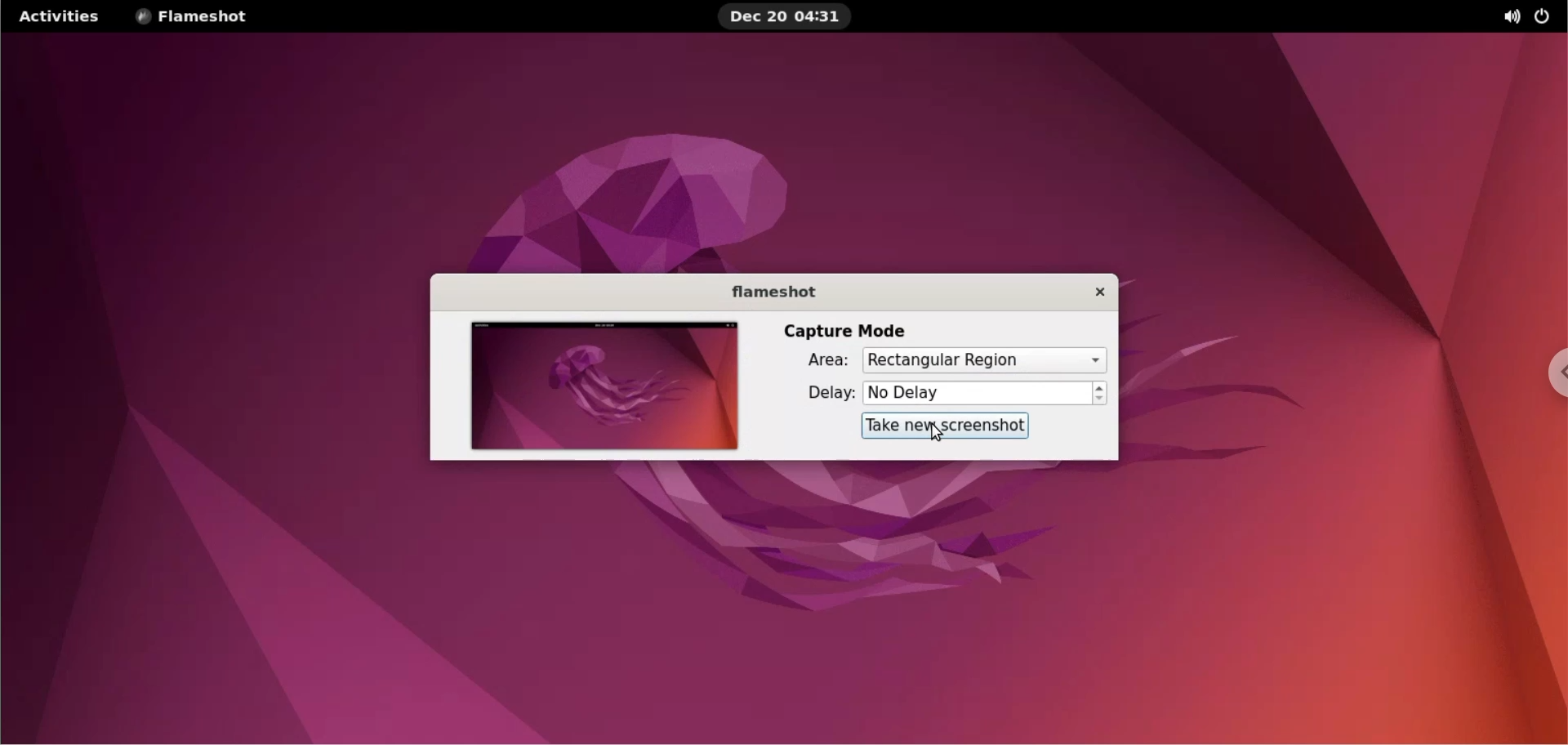 This screenshot has height=745, width=1568. I want to click on increment or decrement delay, so click(1105, 393).